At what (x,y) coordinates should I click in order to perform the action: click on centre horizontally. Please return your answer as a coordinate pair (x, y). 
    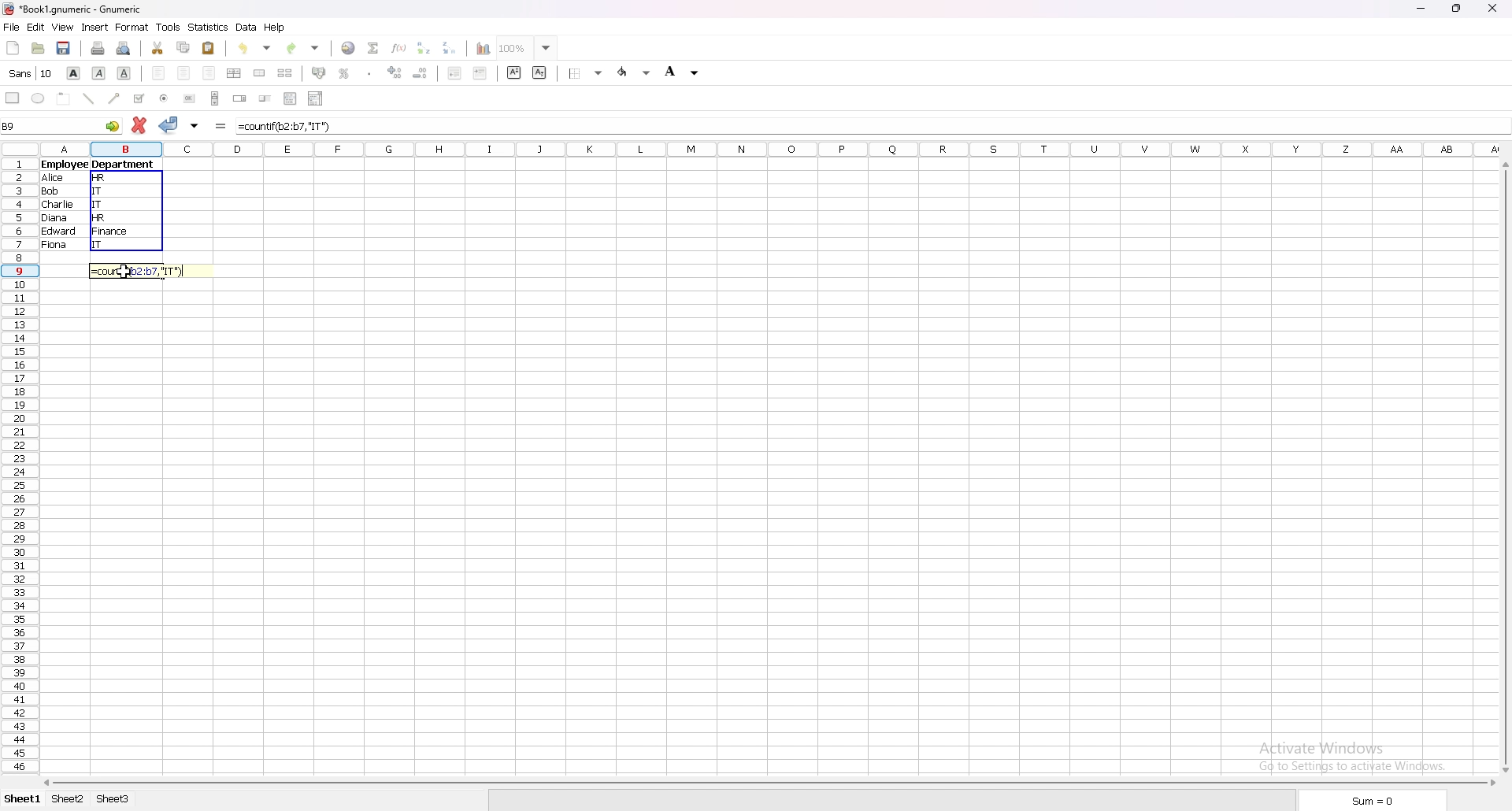
    Looking at the image, I should click on (235, 74).